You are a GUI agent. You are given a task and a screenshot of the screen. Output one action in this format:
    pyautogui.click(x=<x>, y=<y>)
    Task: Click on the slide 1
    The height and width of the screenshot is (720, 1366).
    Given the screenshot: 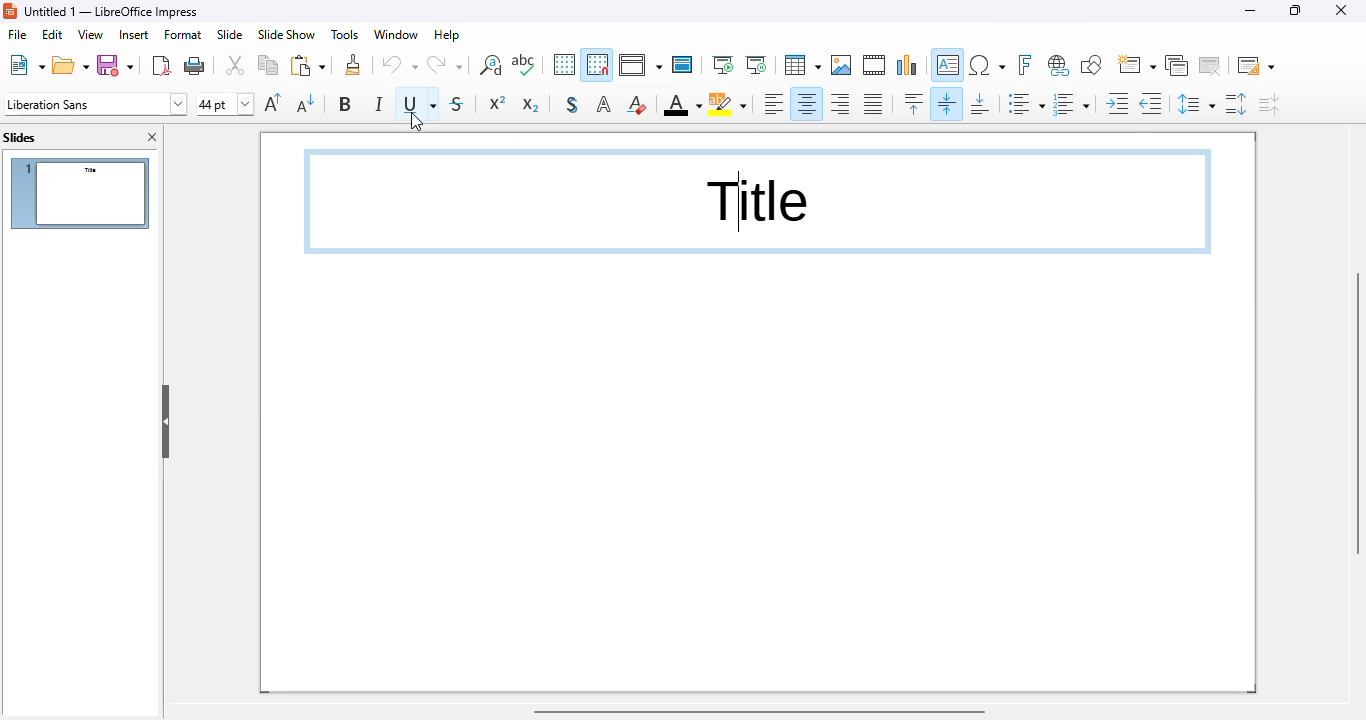 What is the action you would take?
    pyautogui.click(x=80, y=193)
    